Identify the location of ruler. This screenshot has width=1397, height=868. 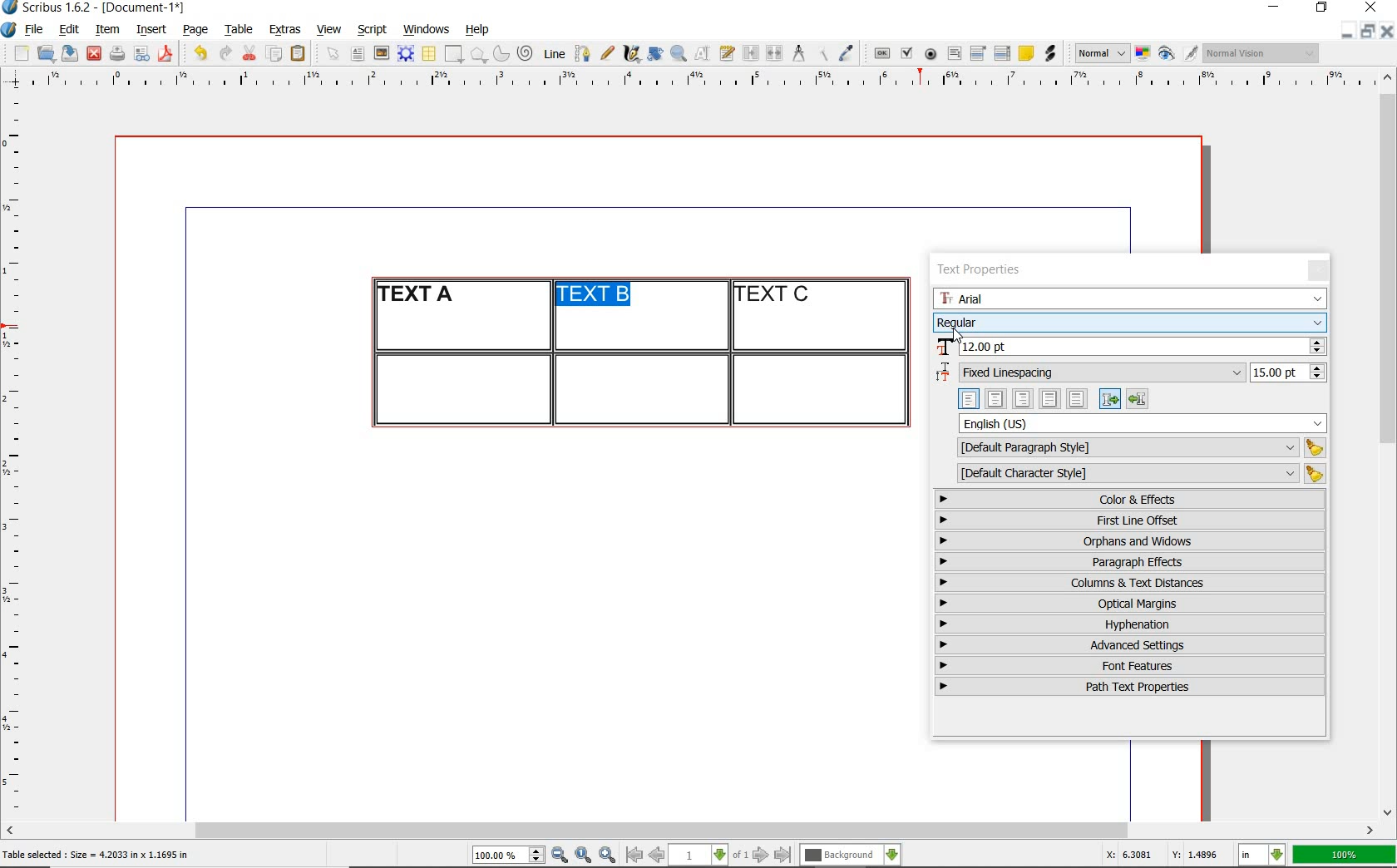
(18, 454).